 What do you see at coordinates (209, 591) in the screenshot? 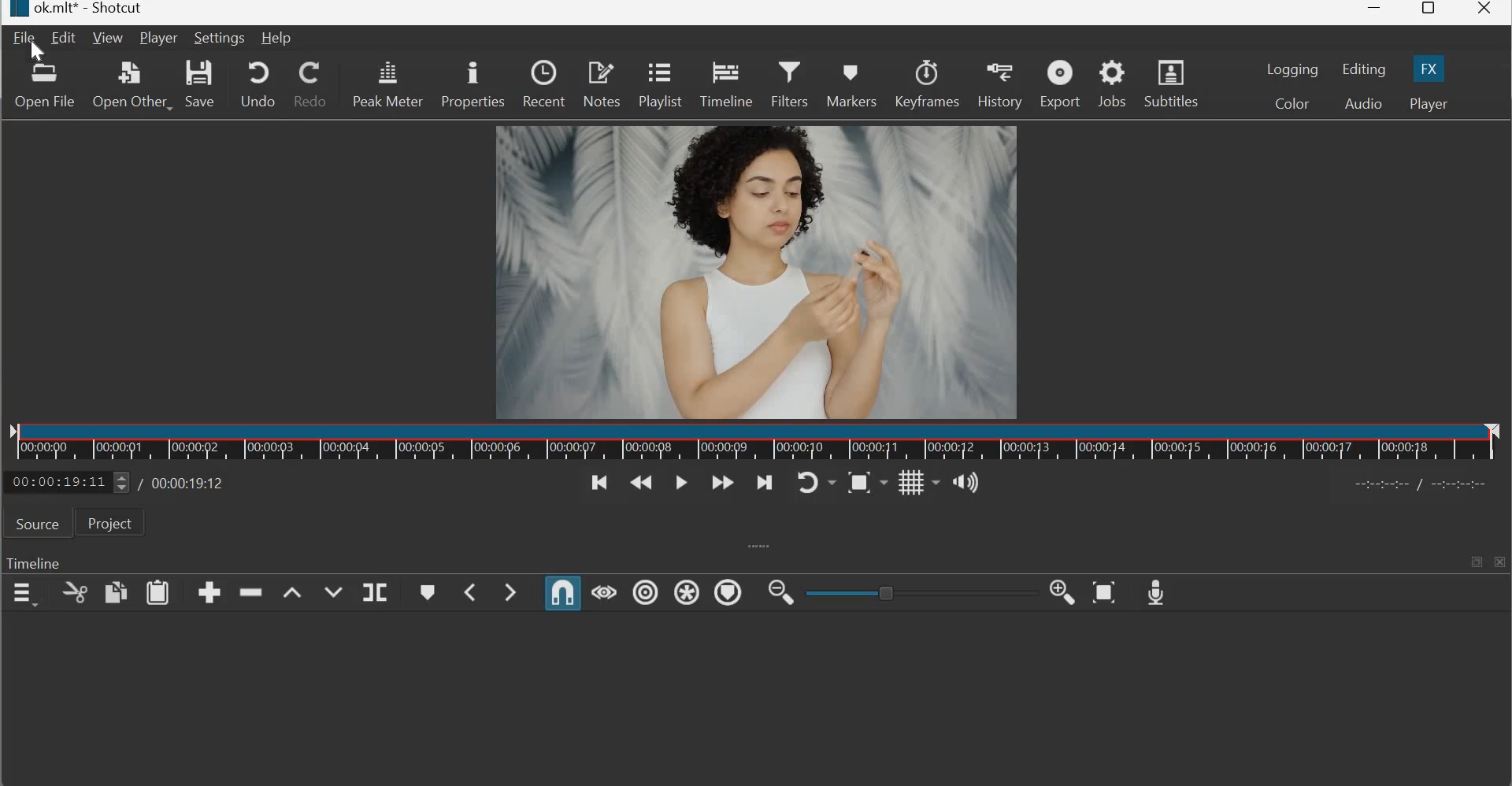
I see `append` at bounding box center [209, 591].